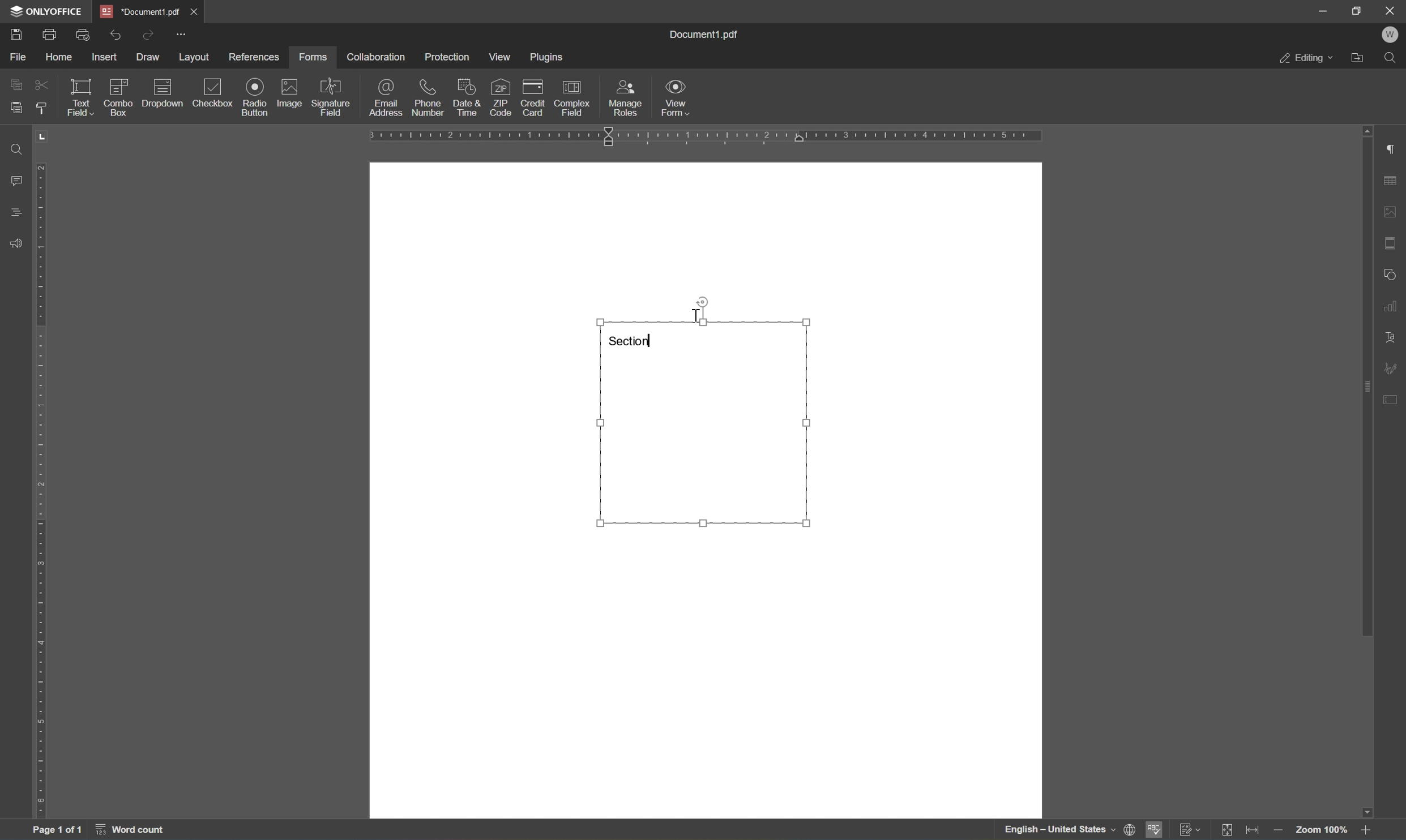 The width and height of the screenshot is (1406, 840). I want to click on print preview, so click(84, 33).